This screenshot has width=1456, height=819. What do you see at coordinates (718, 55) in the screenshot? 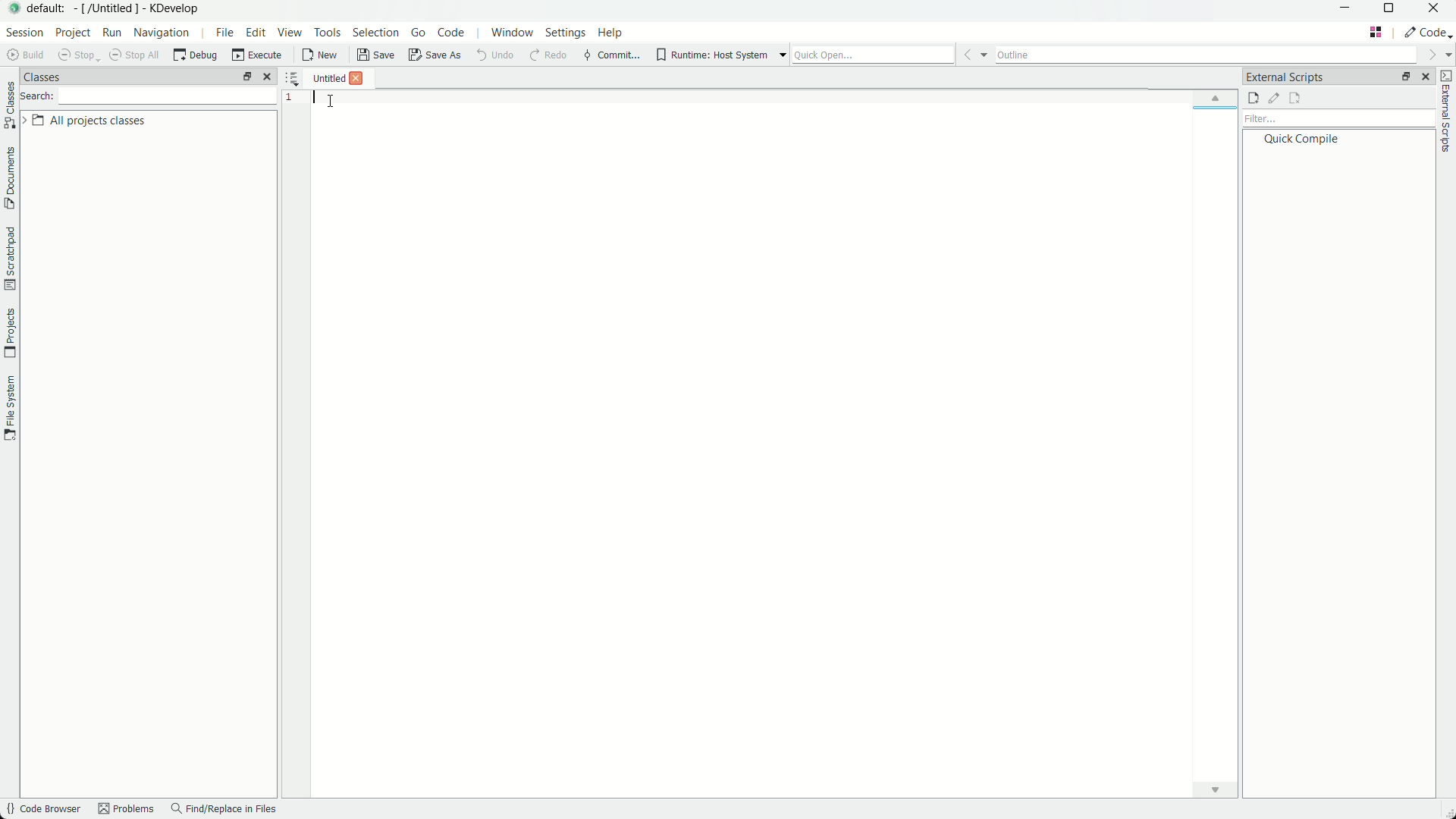
I see `runtime host system` at bounding box center [718, 55].